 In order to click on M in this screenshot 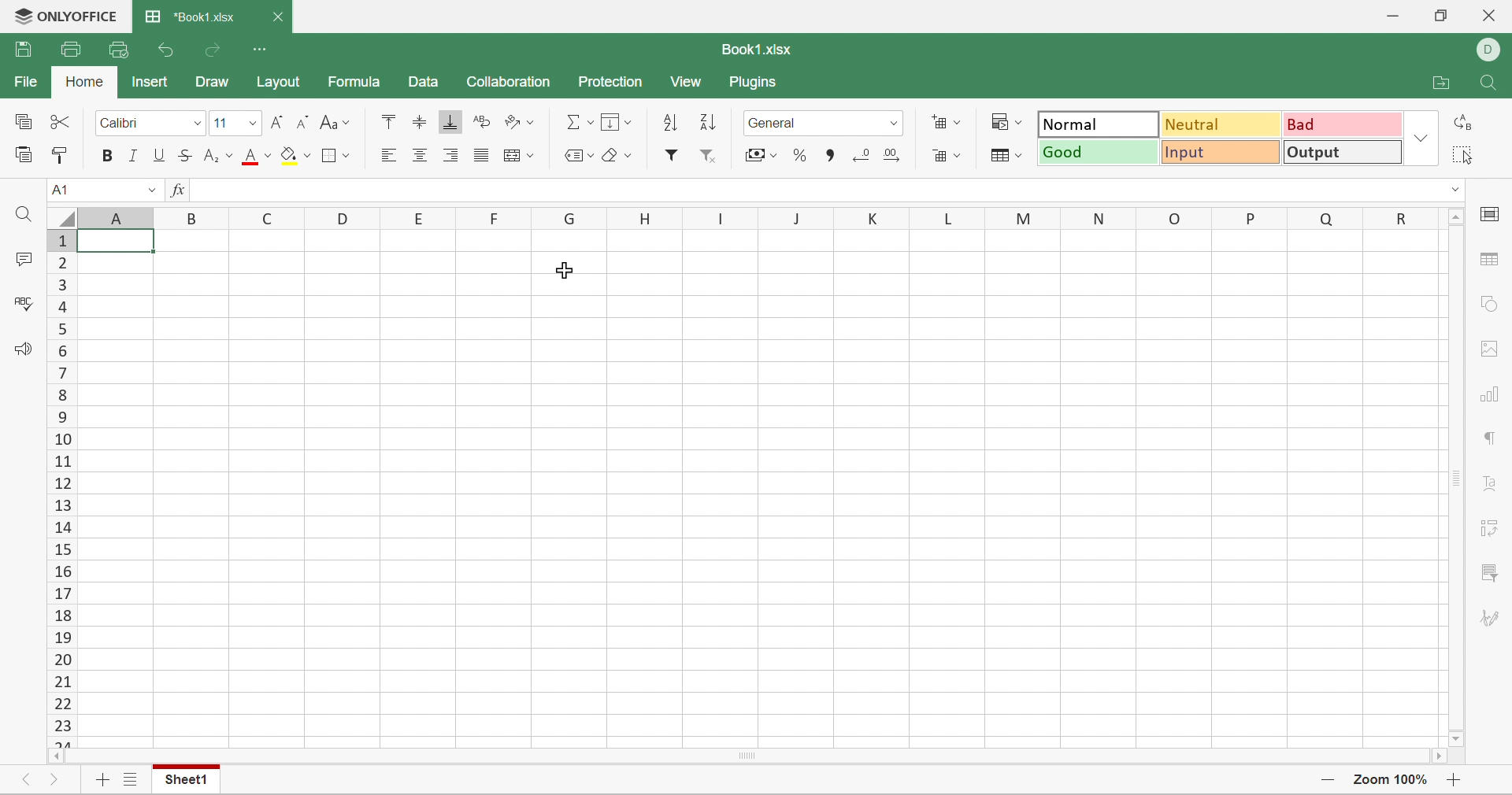, I will do `click(1012, 216)`.